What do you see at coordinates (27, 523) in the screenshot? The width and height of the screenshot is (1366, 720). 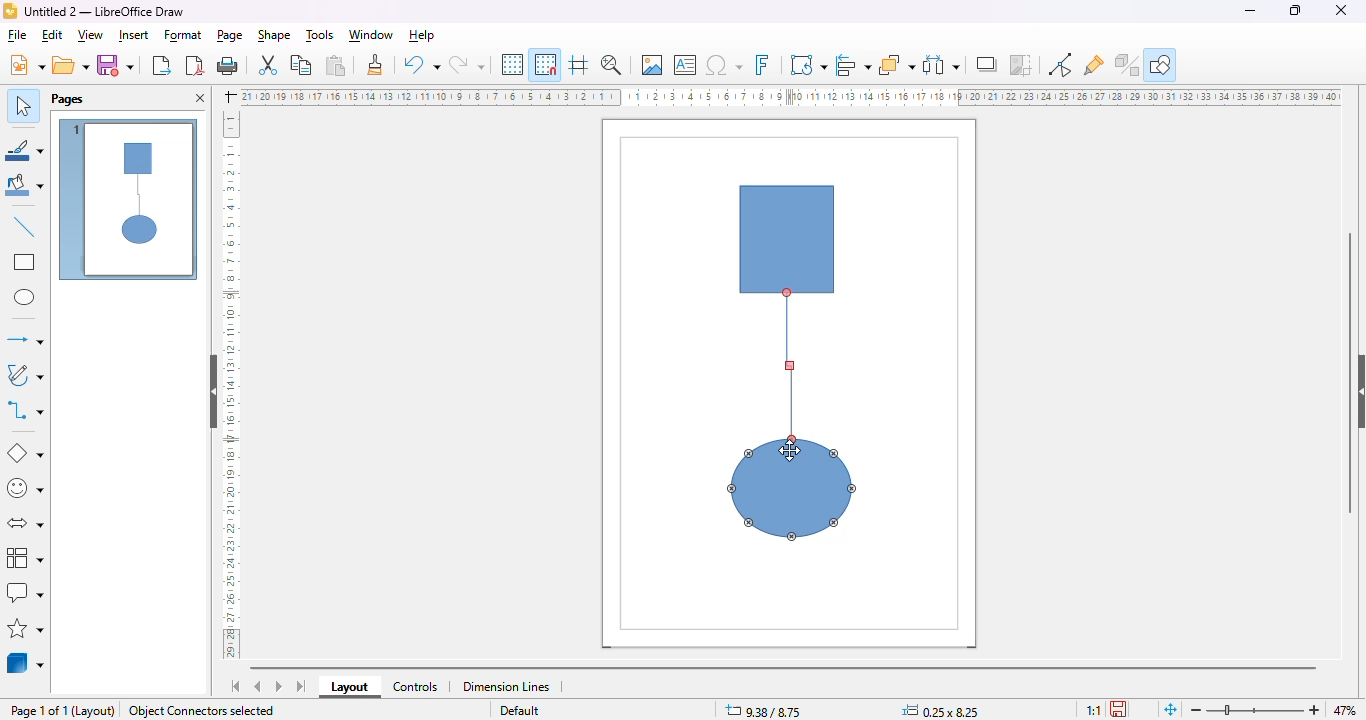 I see `block arrows` at bounding box center [27, 523].